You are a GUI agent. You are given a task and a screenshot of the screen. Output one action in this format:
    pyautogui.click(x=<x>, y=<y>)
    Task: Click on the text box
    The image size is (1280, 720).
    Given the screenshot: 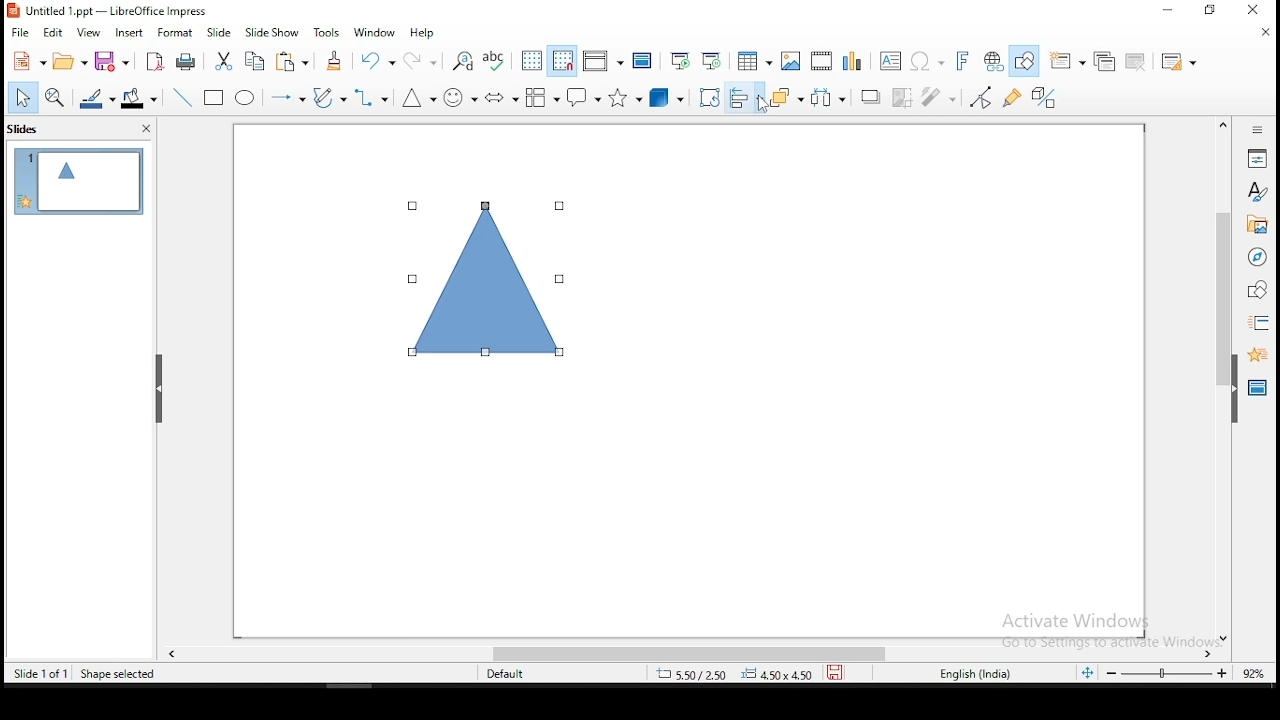 What is the action you would take?
    pyautogui.click(x=889, y=60)
    